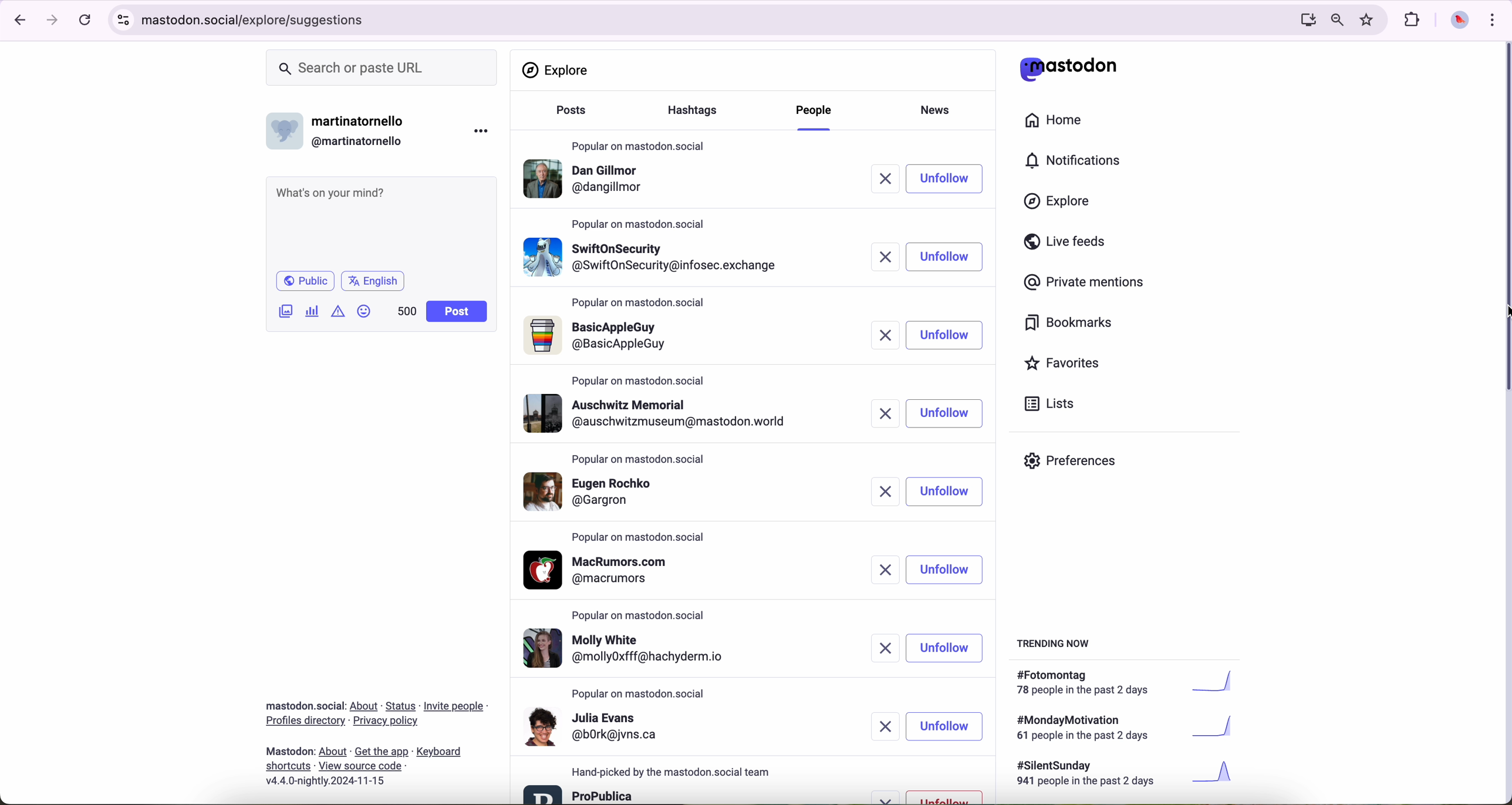 The width and height of the screenshot is (1512, 805). Describe the element at coordinates (888, 726) in the screenshot. I see `remove` at that location.